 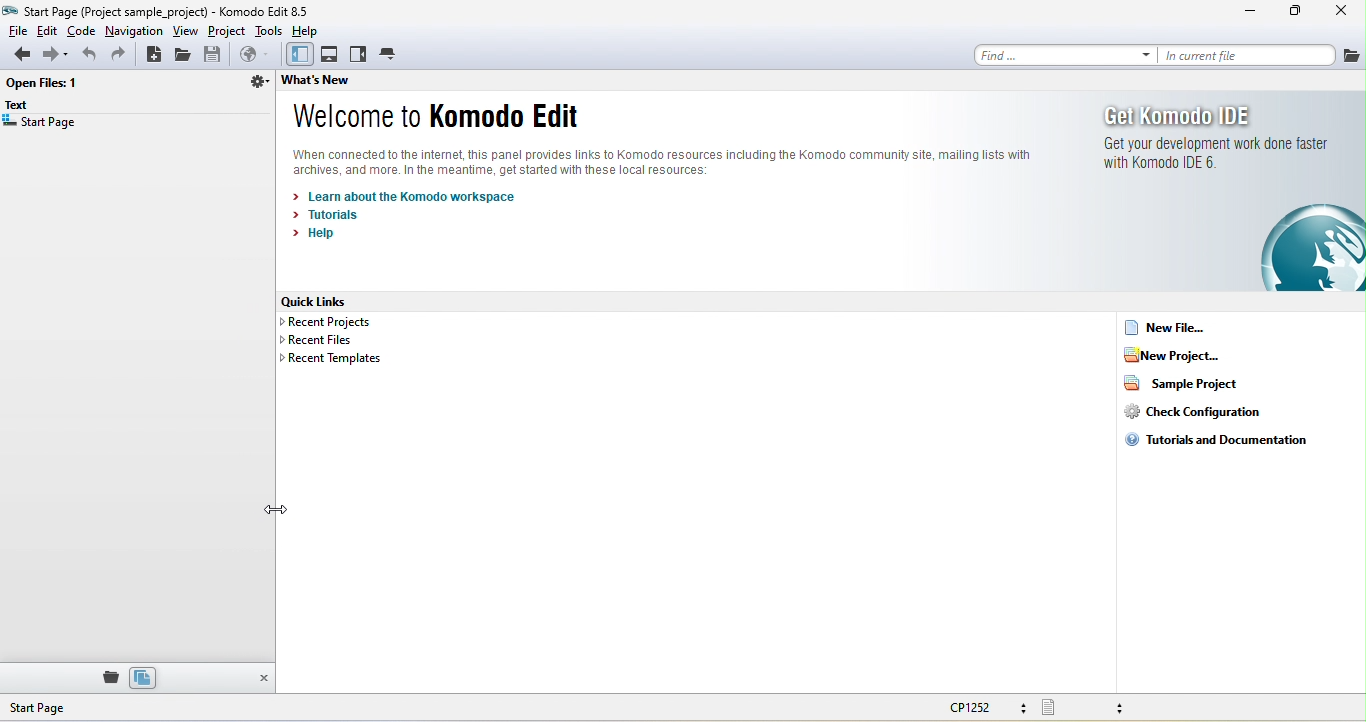 I want to click on view, so click(x=187, y=31).